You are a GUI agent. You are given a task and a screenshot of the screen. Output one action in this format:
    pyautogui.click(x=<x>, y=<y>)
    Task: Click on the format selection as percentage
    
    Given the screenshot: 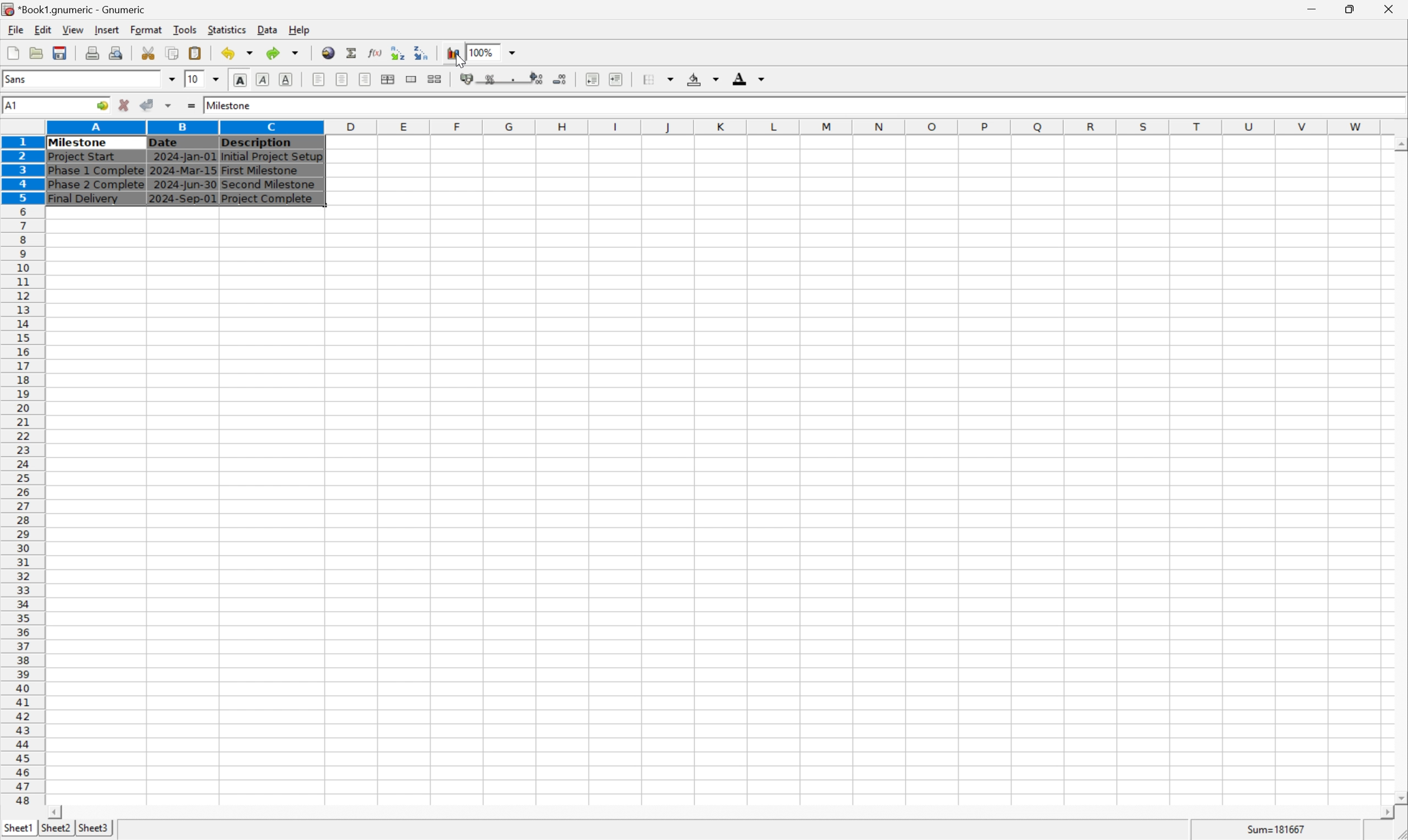 What is the action you would take?
    pyautogui.click(x=491, y=79)
    